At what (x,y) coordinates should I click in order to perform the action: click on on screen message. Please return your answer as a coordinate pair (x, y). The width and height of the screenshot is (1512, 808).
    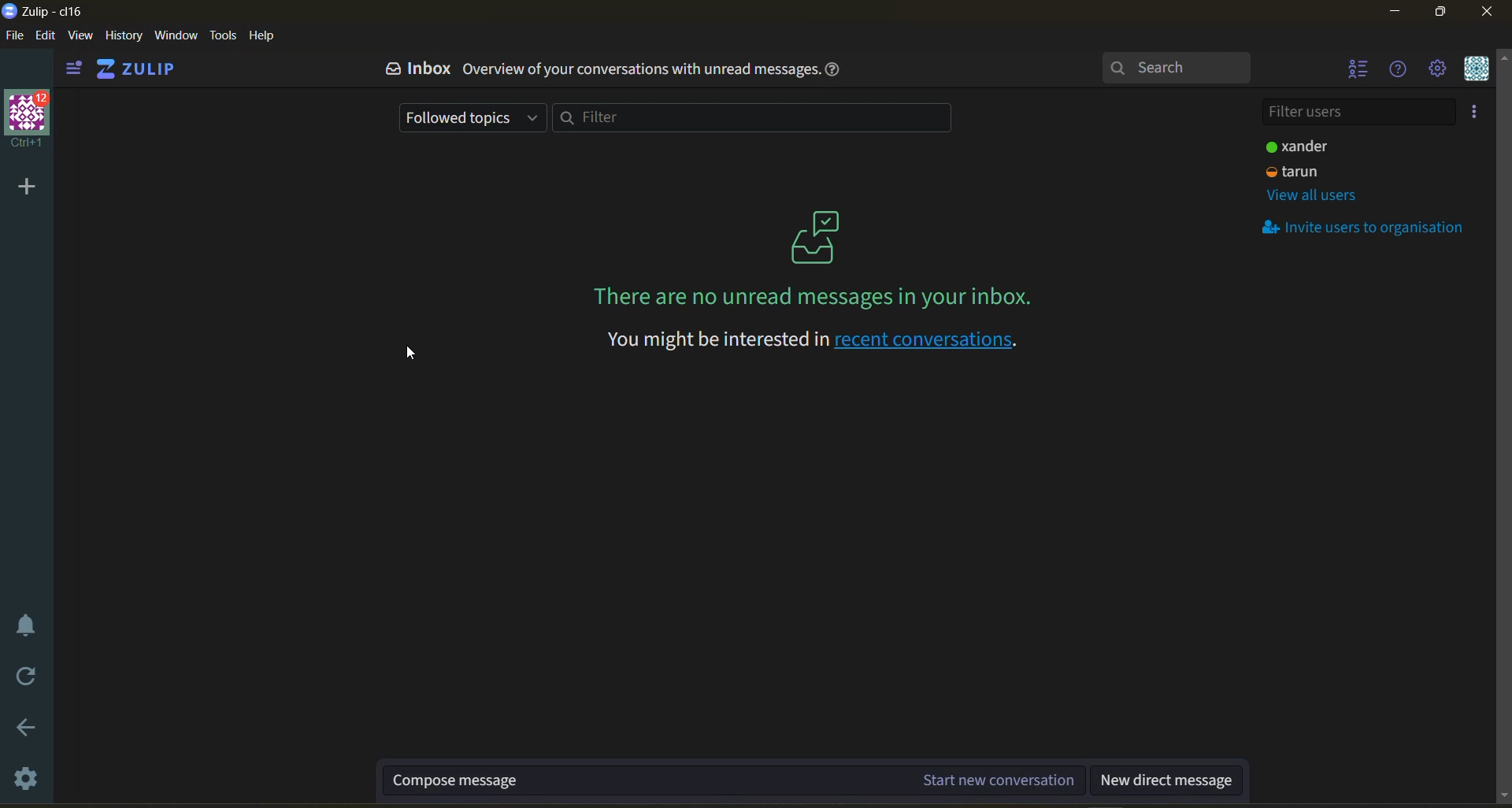
    Looking at the image, I should click on (813, 260).